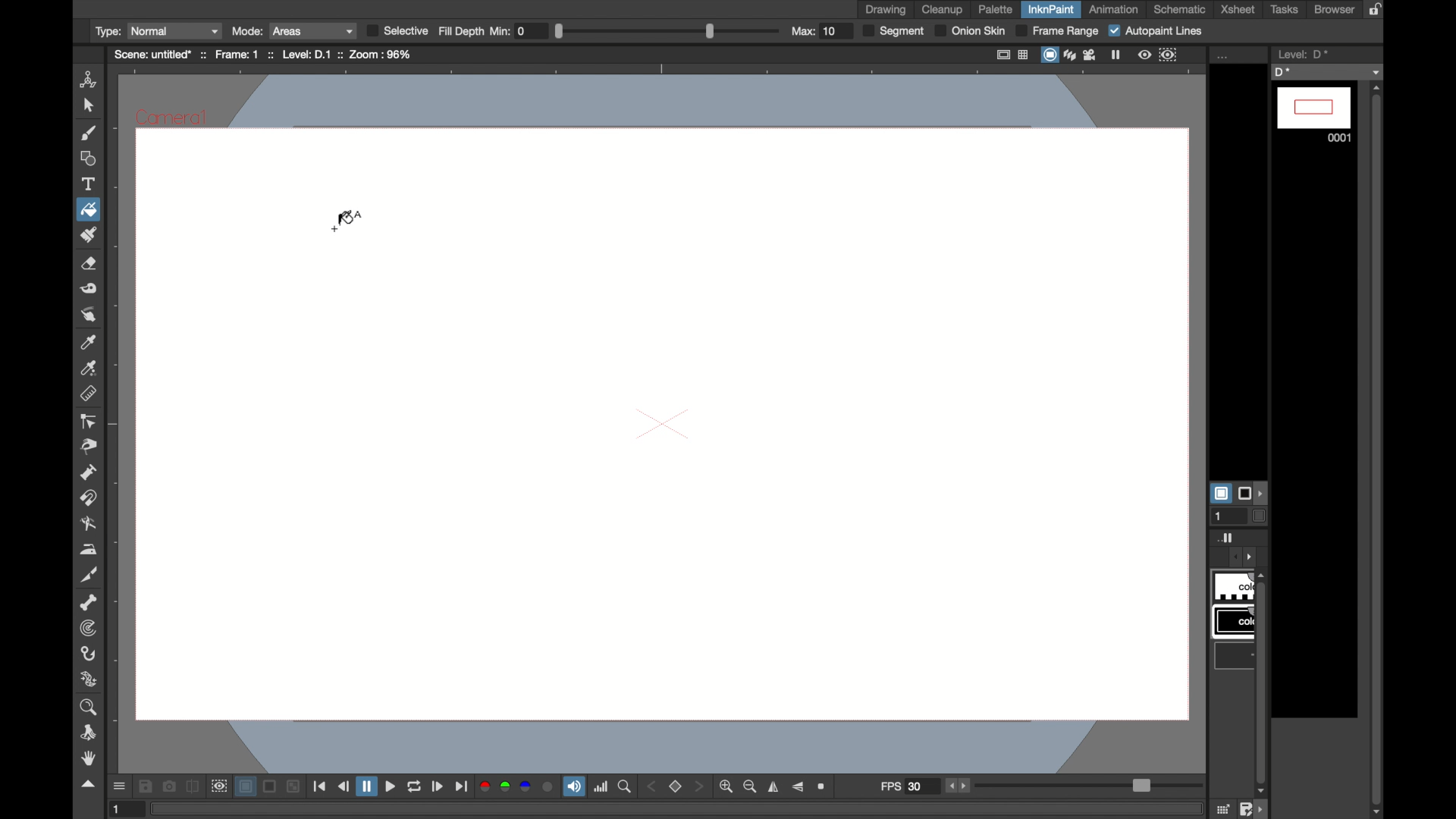 The image size is (1456, 819). I want to click on zoom out, so click(749, 786).